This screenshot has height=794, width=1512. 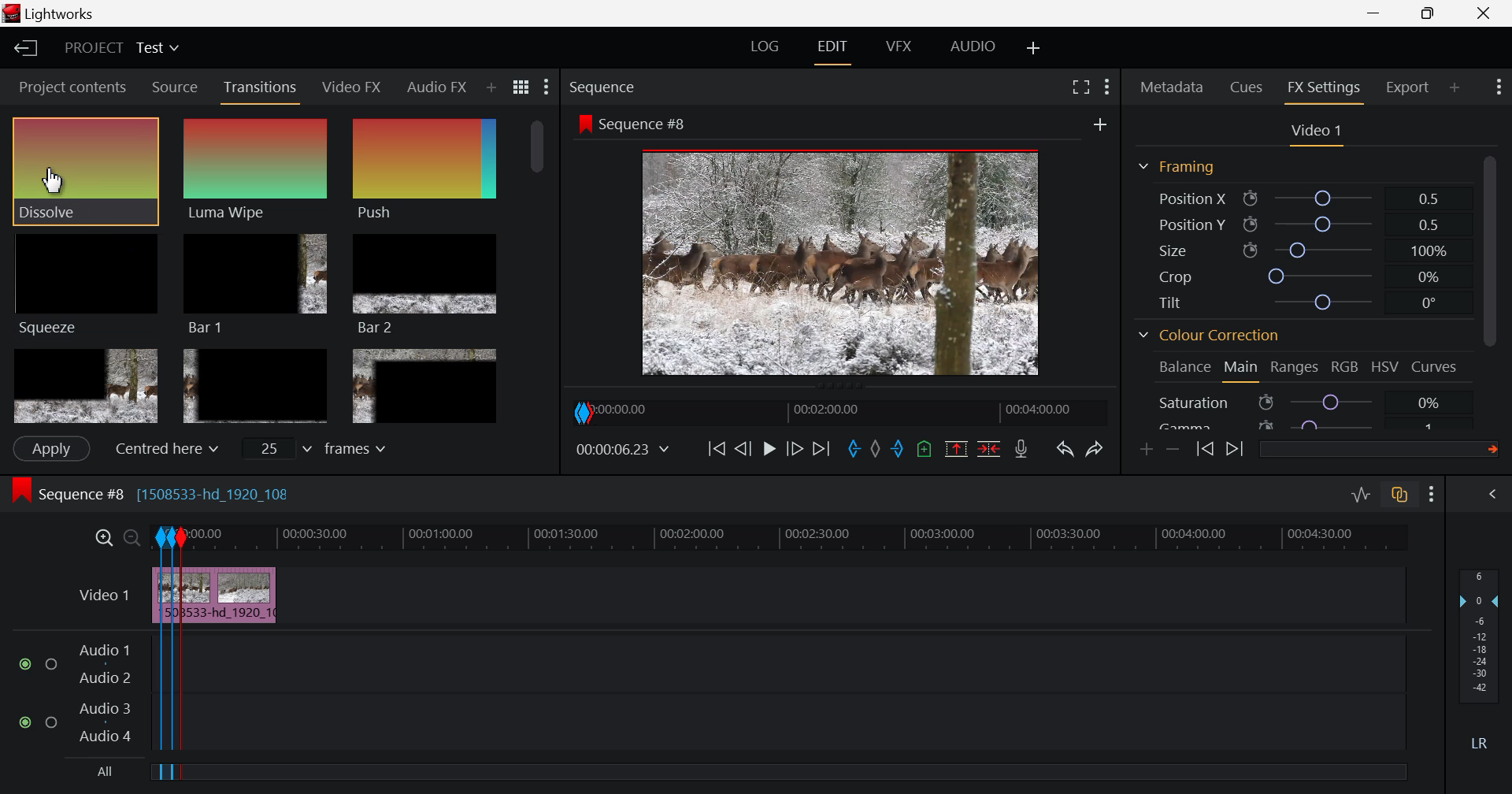 I want to click on Video 1 settings open, so click(x=1318, y=132).